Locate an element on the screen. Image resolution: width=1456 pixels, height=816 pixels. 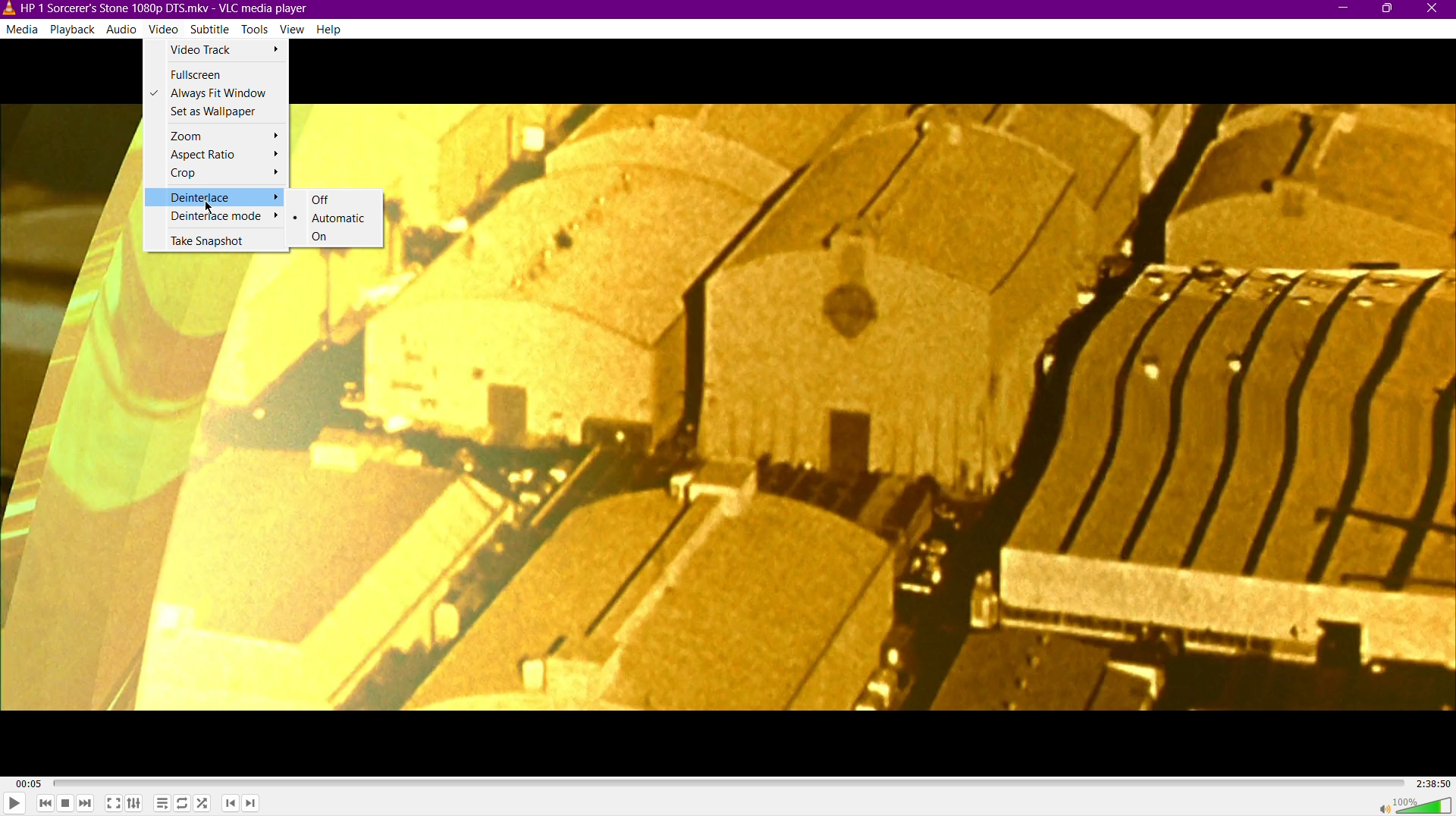
Playback is located at coordinates (71, 31).